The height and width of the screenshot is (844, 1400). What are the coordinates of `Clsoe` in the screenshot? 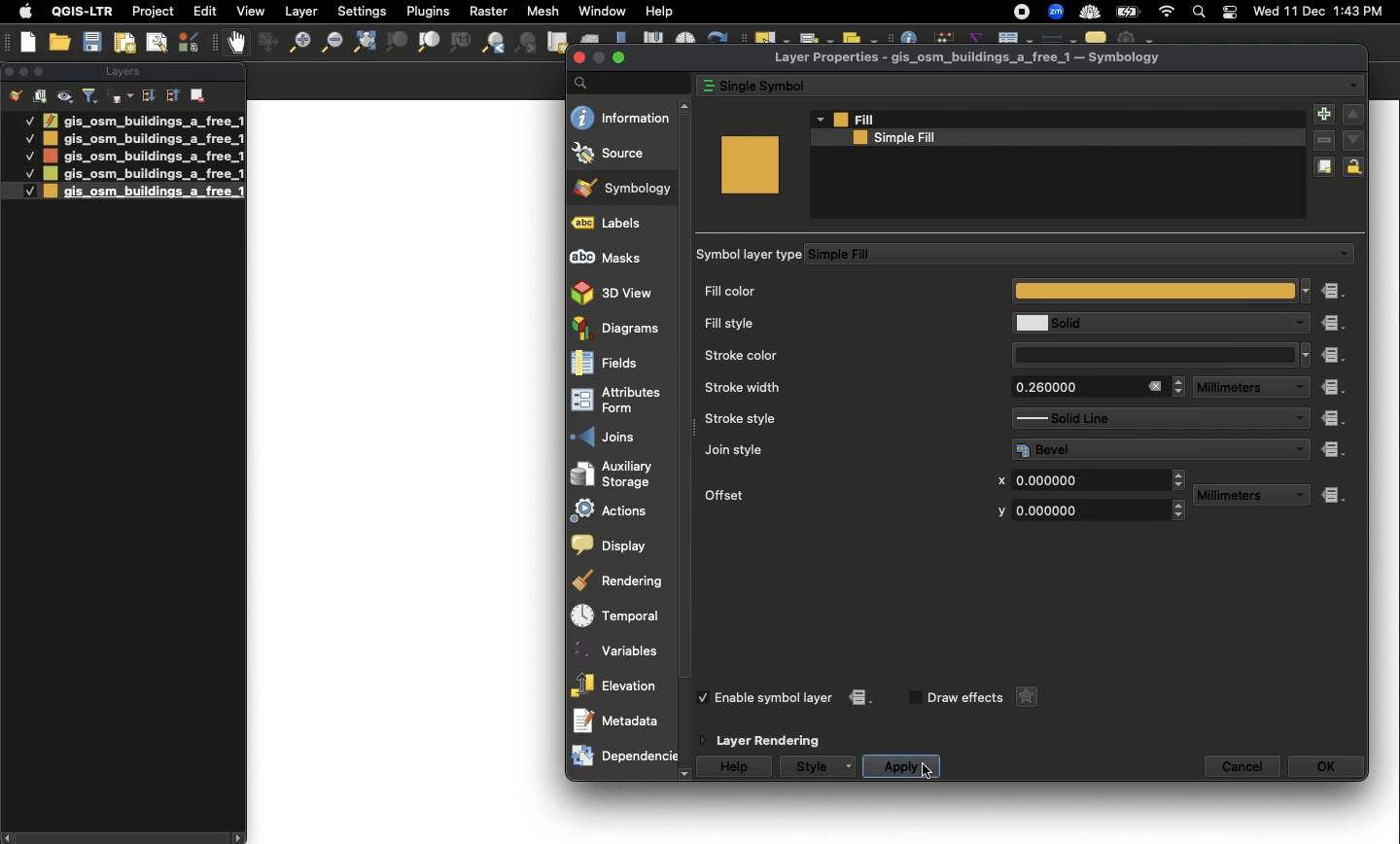 It's located at (9, 71).